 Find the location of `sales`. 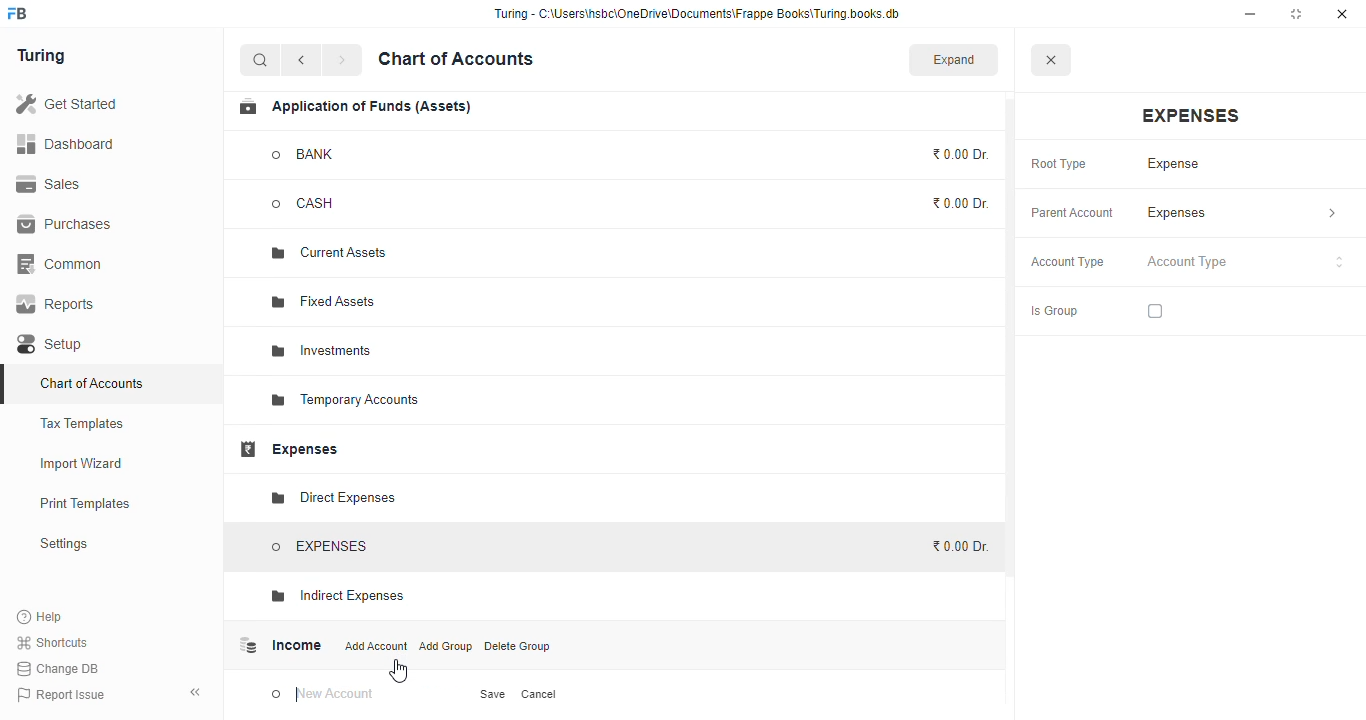

sales is located at coordinates (49, 184).